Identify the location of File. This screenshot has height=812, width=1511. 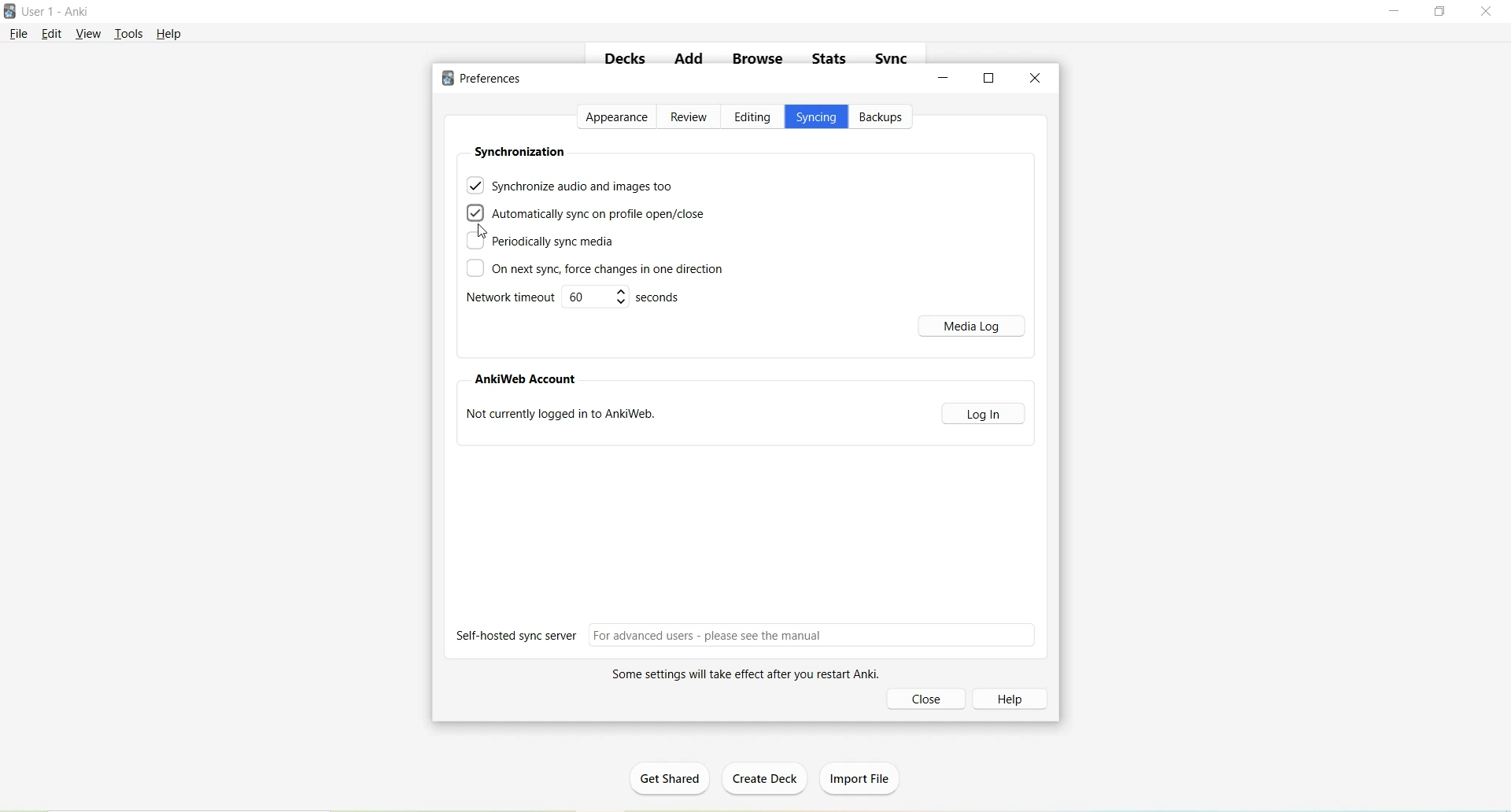
(20, 33).